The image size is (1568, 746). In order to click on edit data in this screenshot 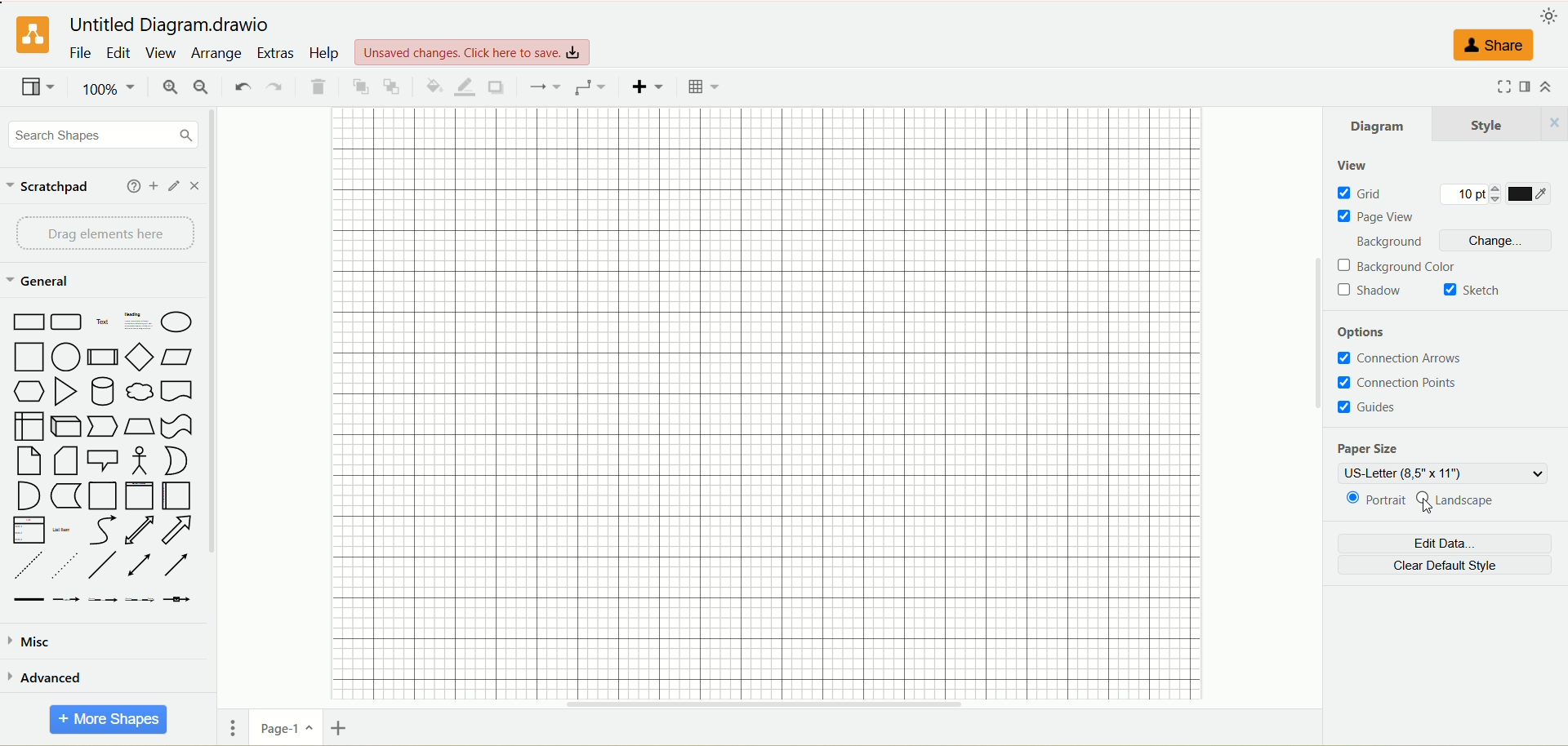, I will do `click(1445, 544)`.